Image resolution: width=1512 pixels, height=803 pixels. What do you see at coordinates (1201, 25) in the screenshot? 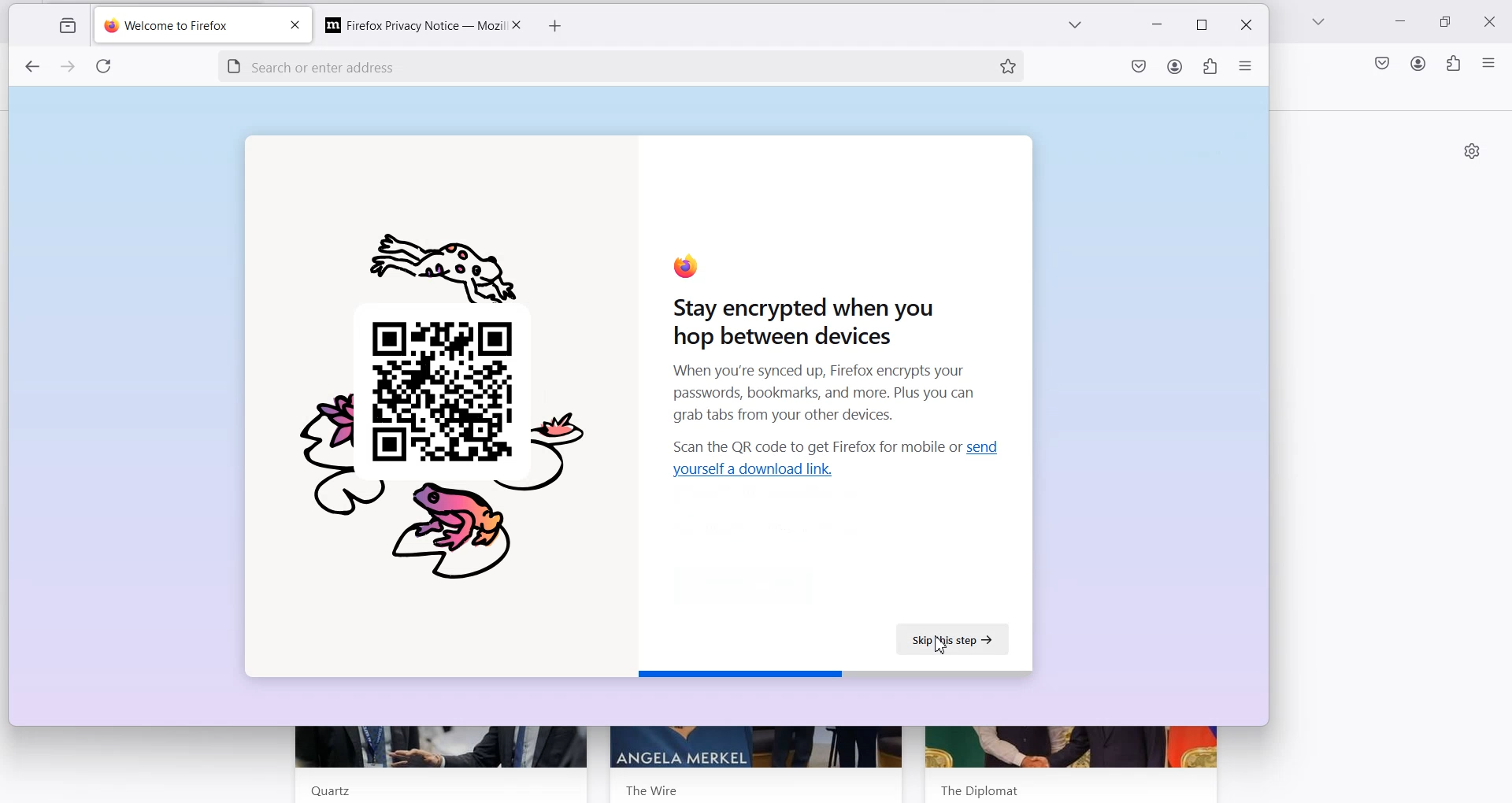
I see `restore down` at bounding box center [1201, 25].